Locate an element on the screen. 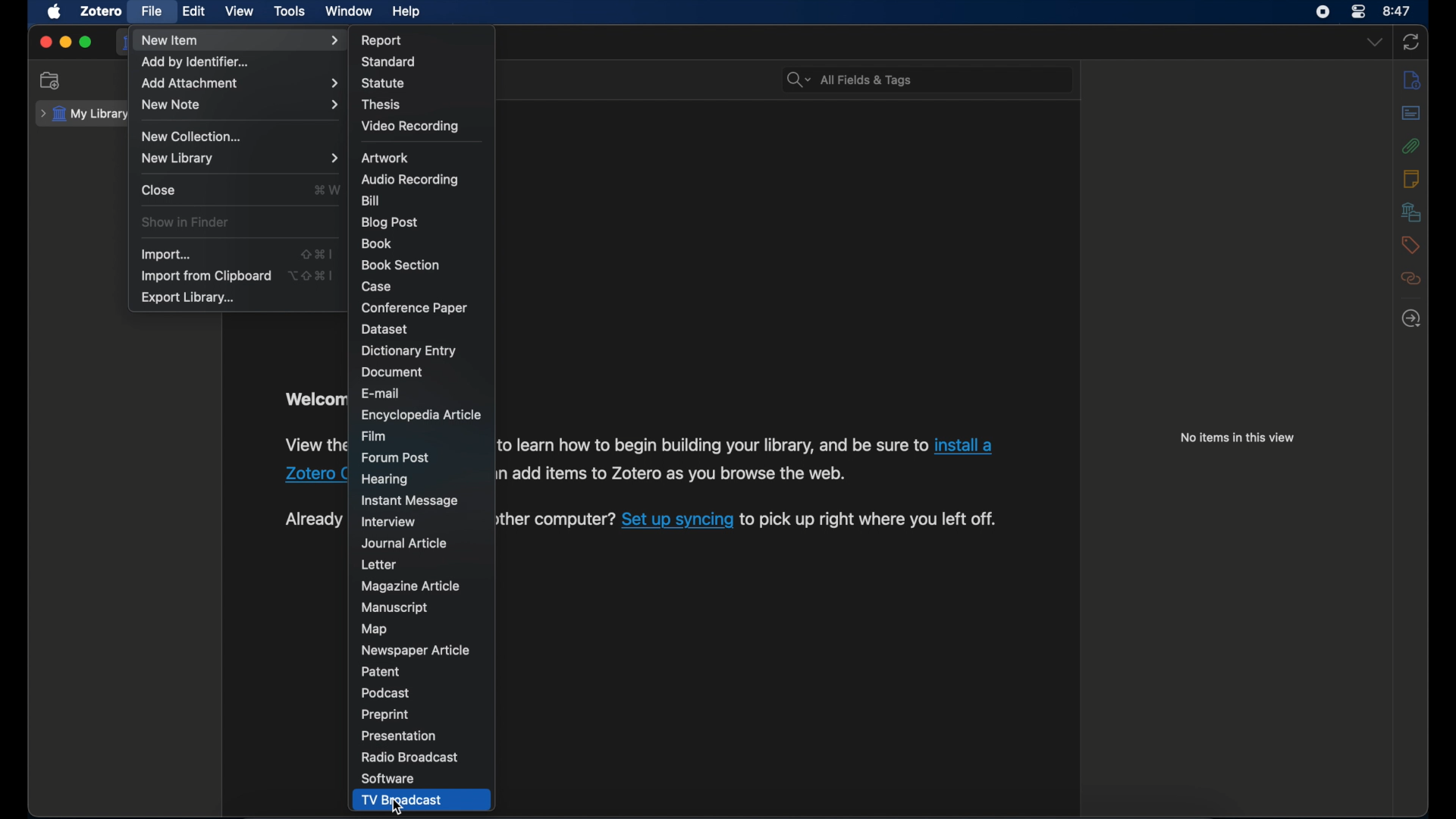 This screenshot has height=819, width=1456. Zotero connector link is located at coordinates (314, 474).